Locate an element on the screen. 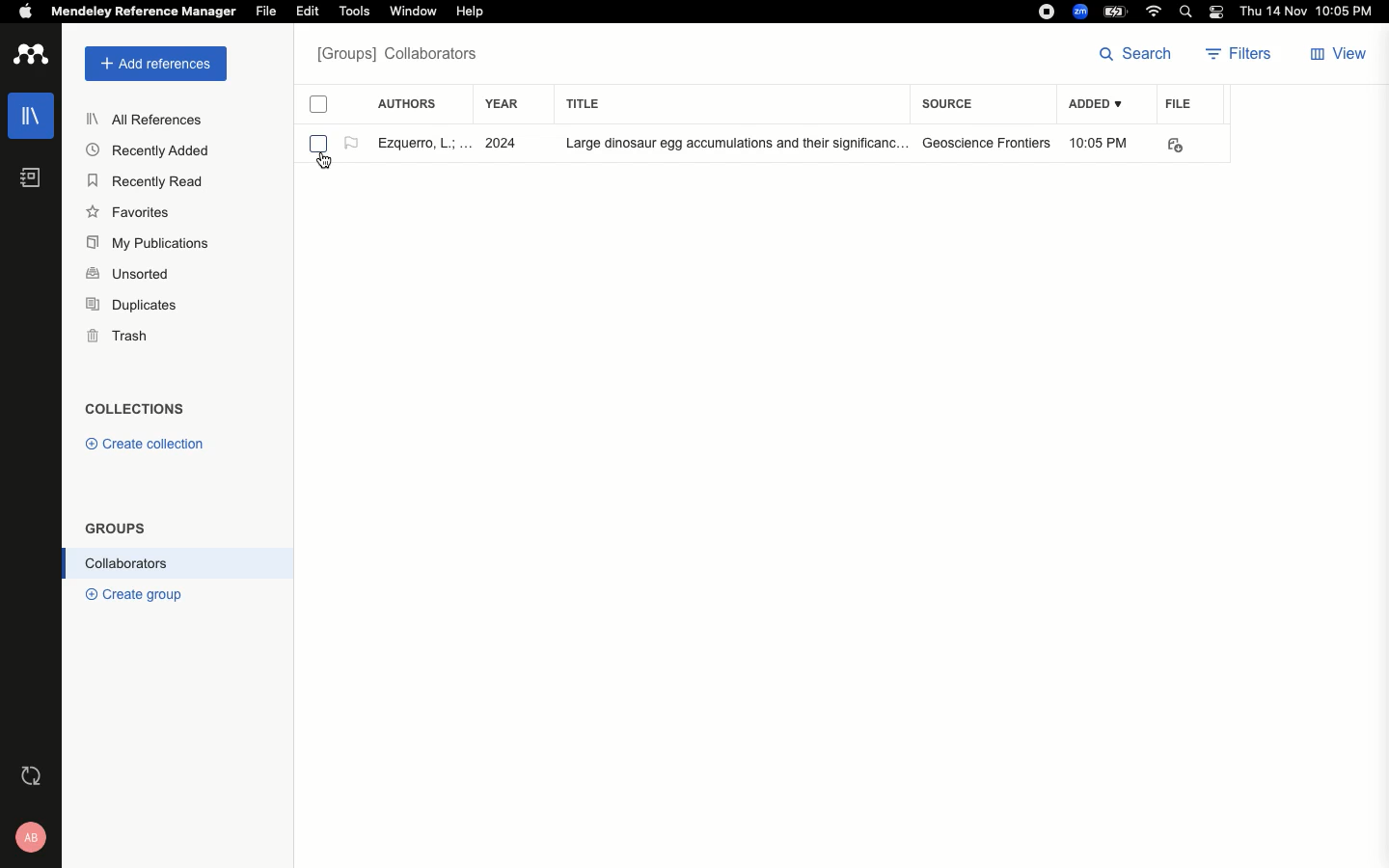 Image resolution: width=1389 pixels, height=868 pixels. Unsorted is located at coordinates (130, 271).